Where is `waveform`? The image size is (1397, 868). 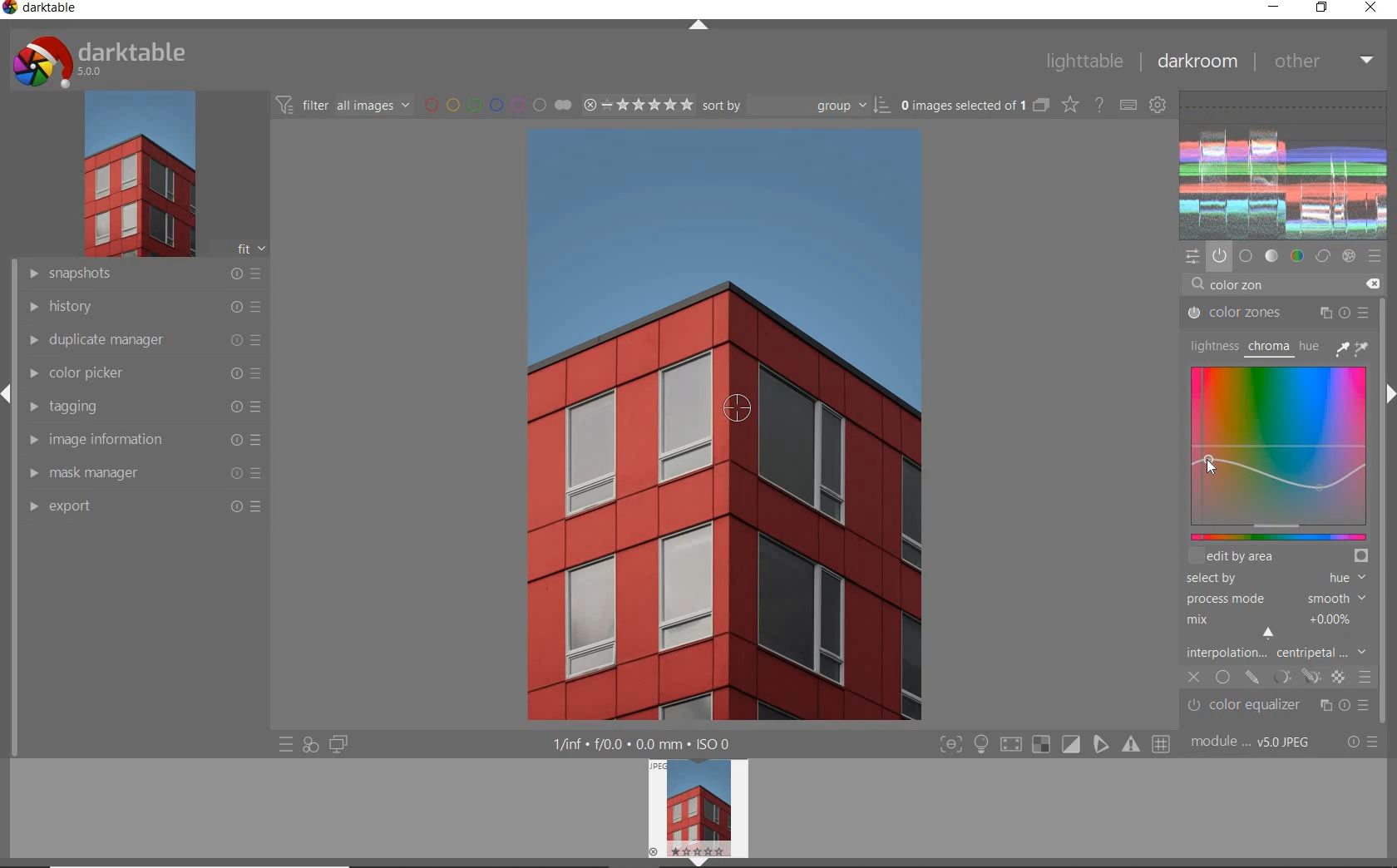 waveform is located at coordinates (1286, 164).